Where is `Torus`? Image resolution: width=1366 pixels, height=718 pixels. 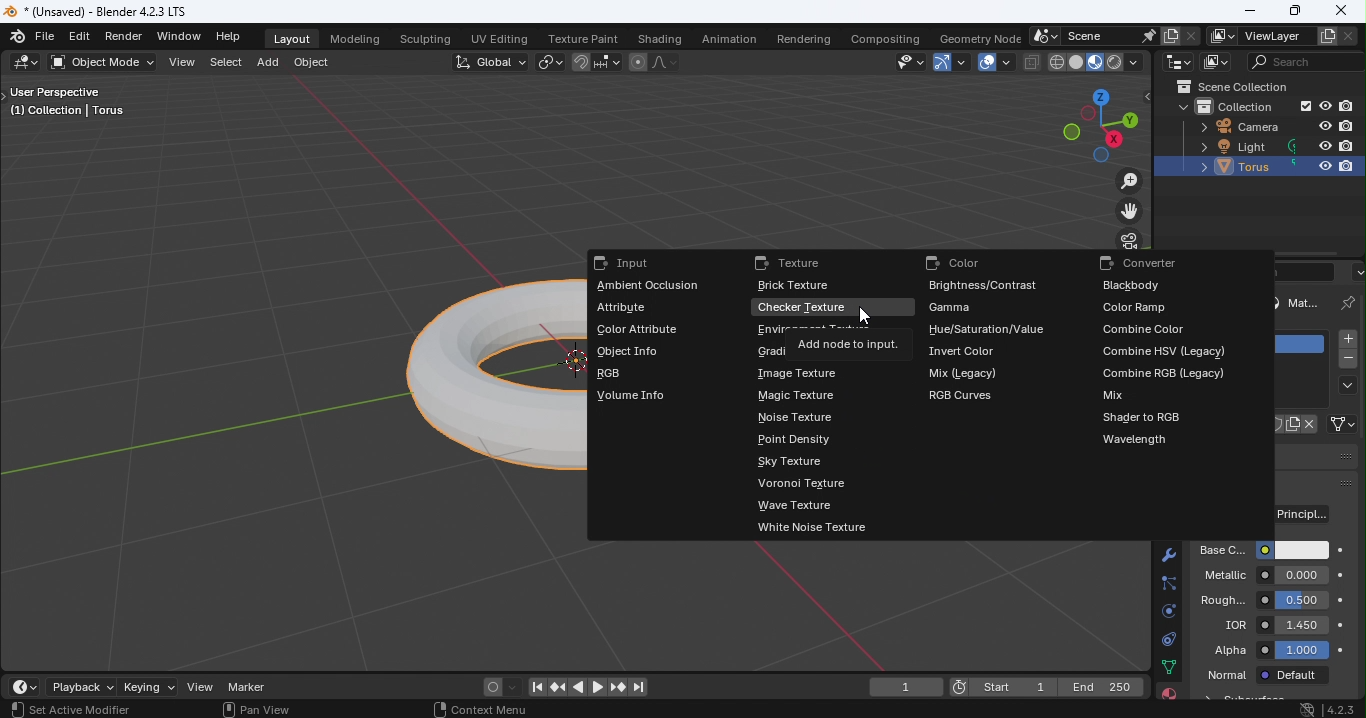 Torus is located at coordinates (476, 370).